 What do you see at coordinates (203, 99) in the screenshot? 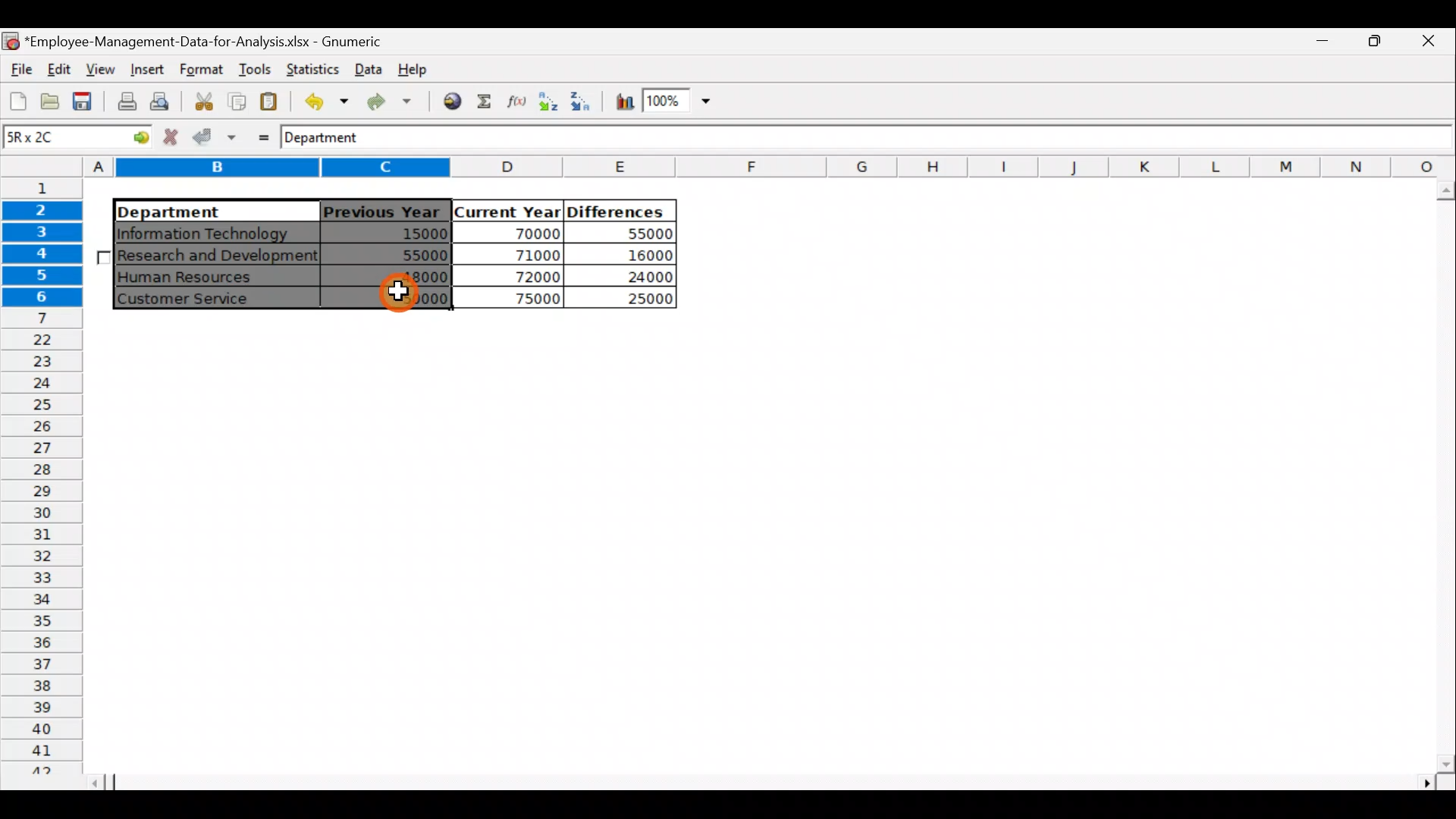
I see `Cut the selection` at bounding box center [203, 99].